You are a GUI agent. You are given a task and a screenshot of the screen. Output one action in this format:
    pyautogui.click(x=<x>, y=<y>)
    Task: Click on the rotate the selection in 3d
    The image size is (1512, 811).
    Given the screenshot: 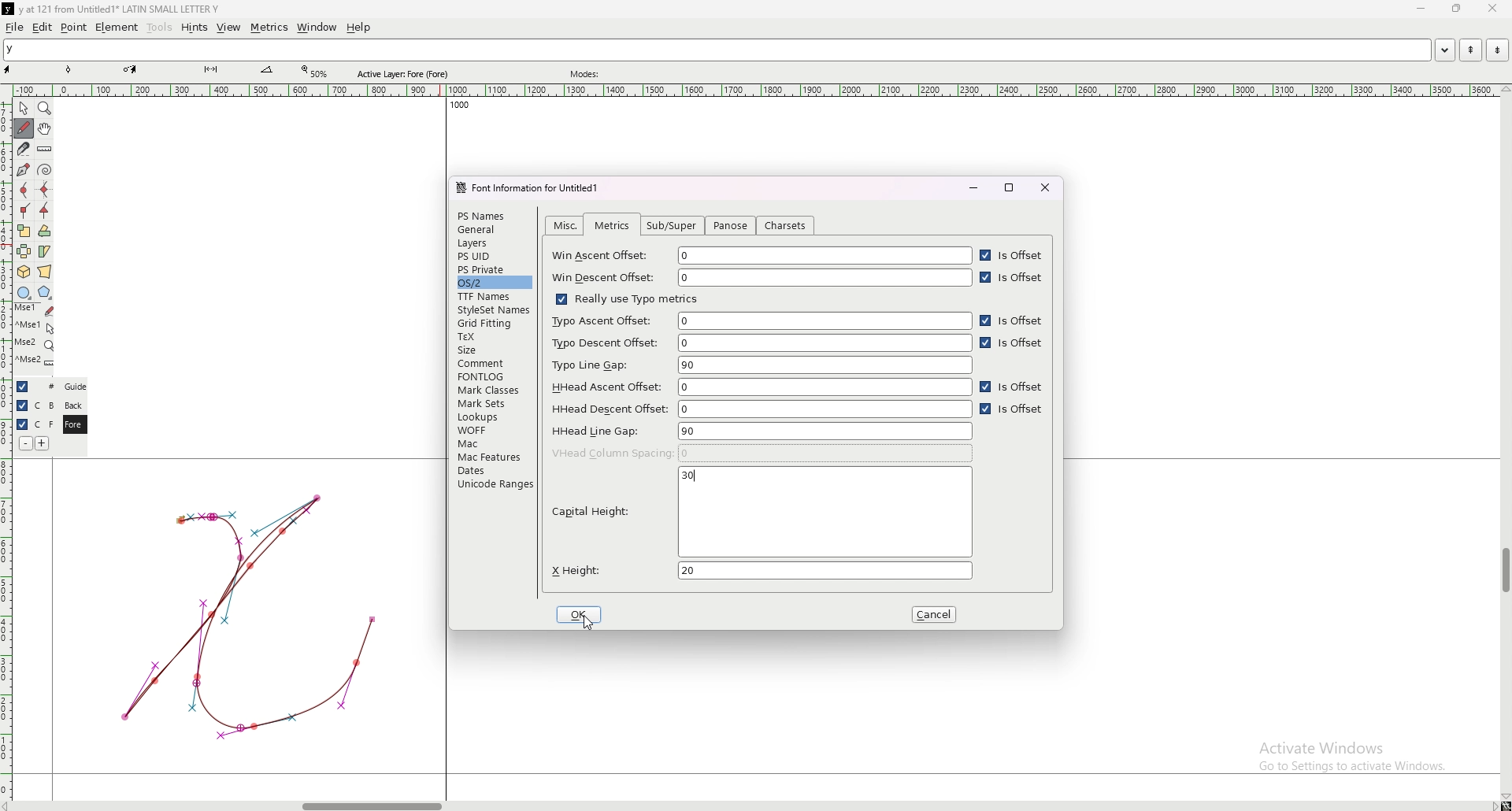 What is the action you would take?
    pyautogui.click(x=24, y=272)
    